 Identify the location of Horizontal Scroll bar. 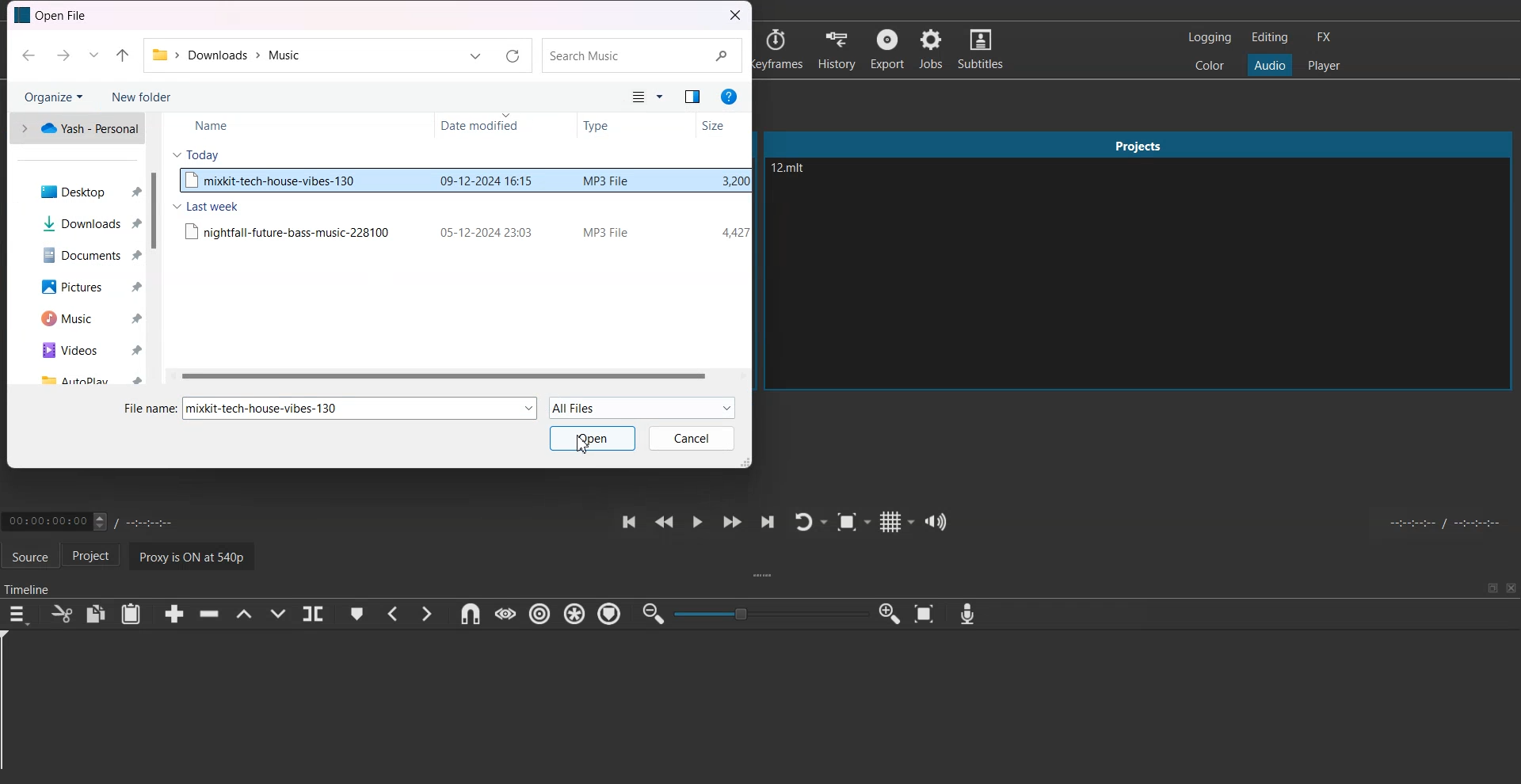
(456, 375).